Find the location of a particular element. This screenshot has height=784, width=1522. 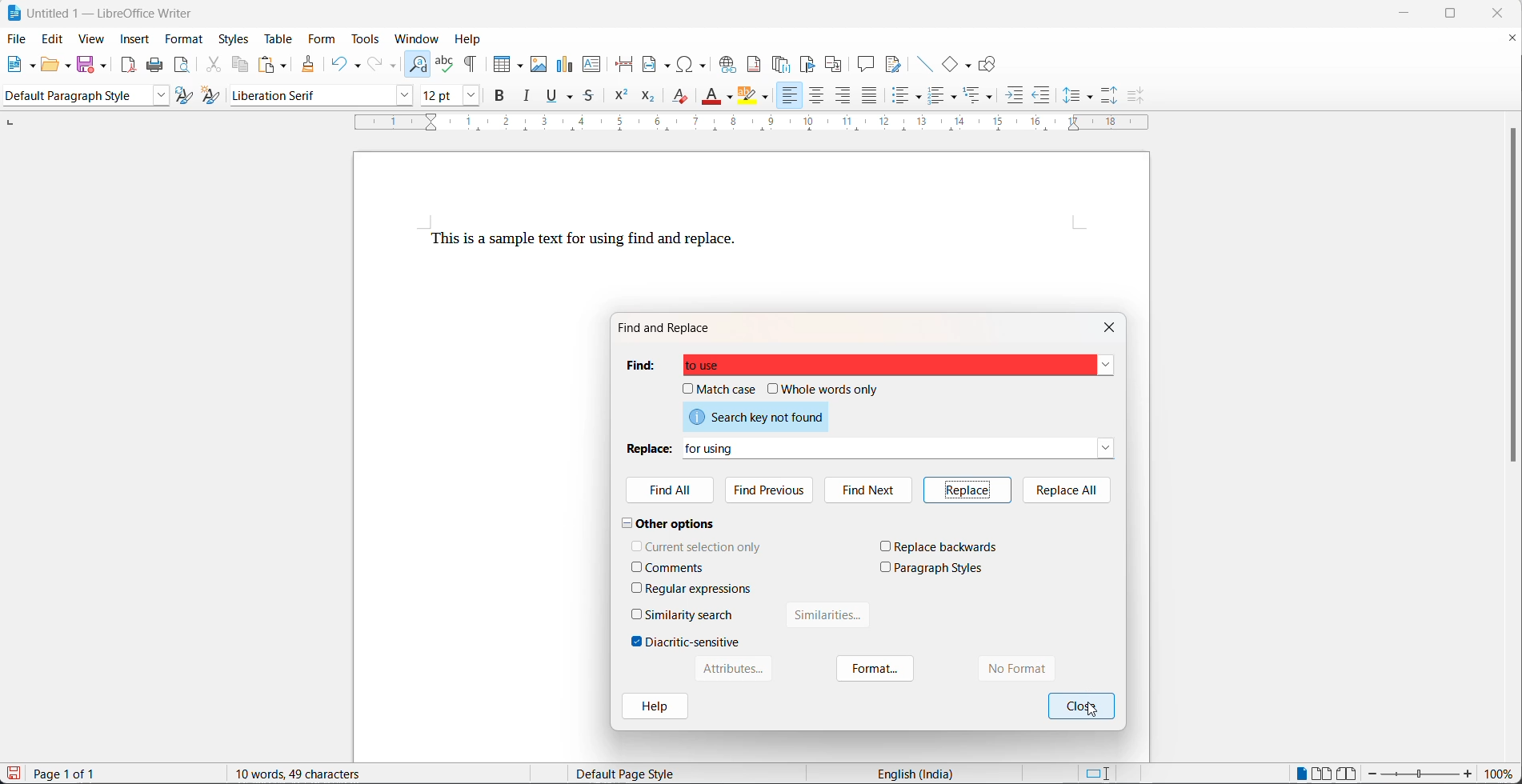

open options is located at coordinates (69, 64).